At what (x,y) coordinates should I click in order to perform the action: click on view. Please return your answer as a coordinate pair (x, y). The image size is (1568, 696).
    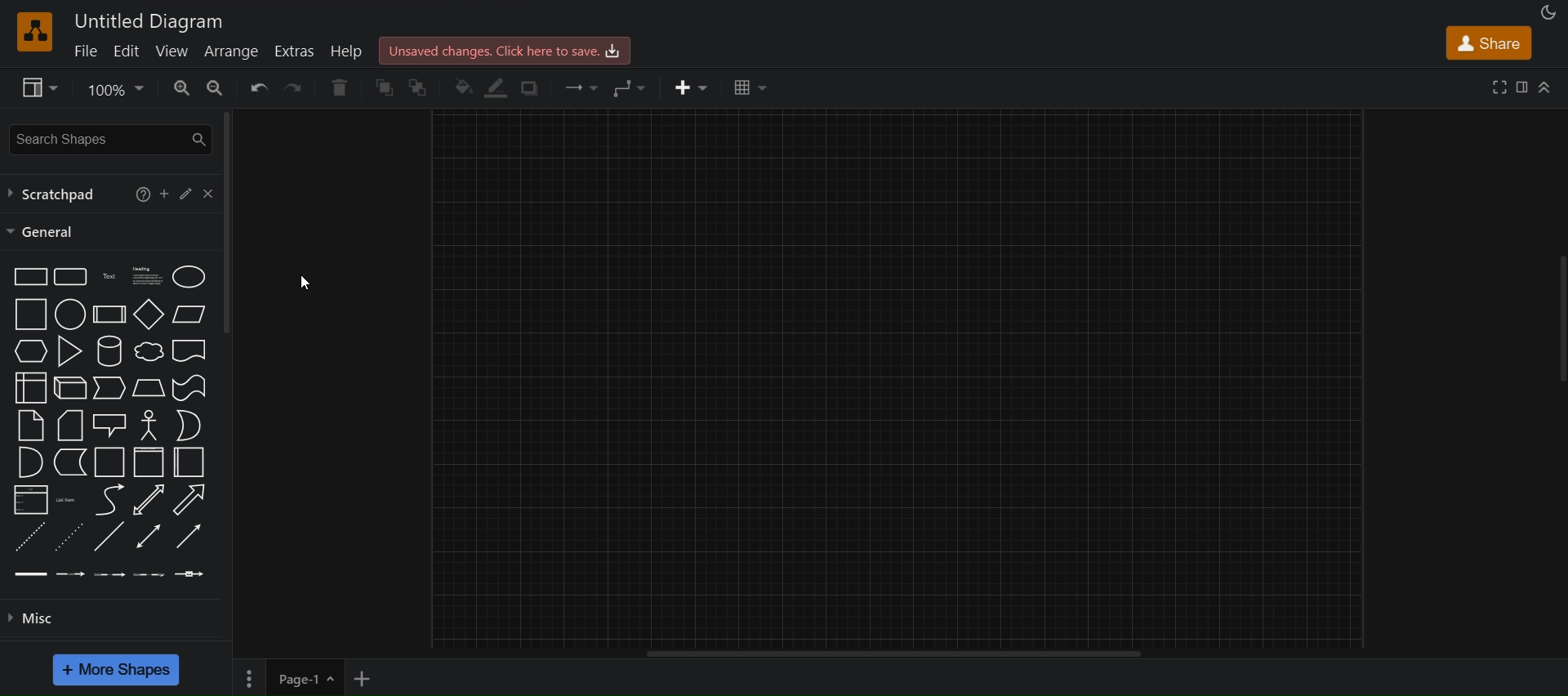
    Looking at the image, I should click on (171, 51).